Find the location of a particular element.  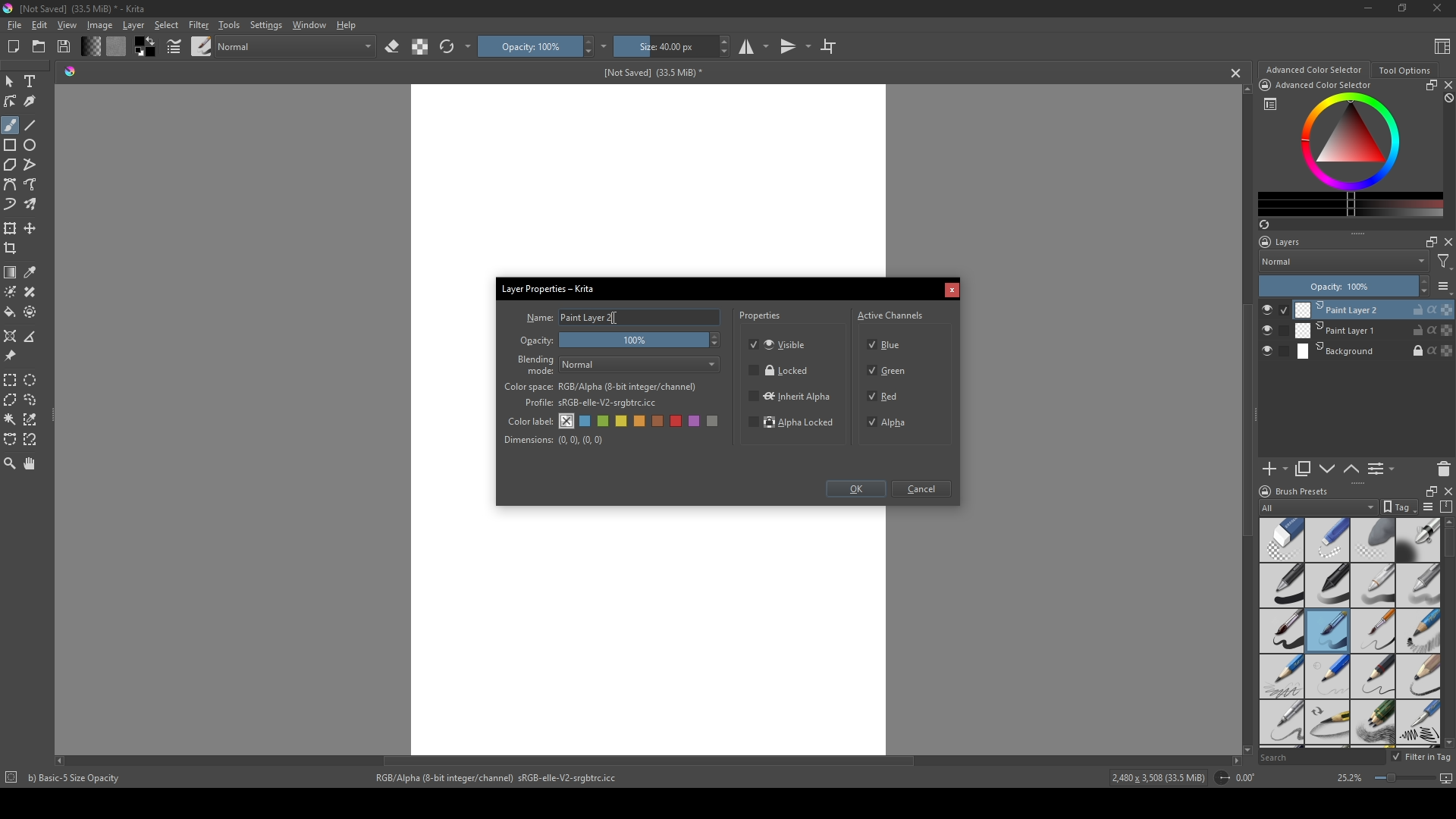

cancel is located at coordinates (1237, 73).